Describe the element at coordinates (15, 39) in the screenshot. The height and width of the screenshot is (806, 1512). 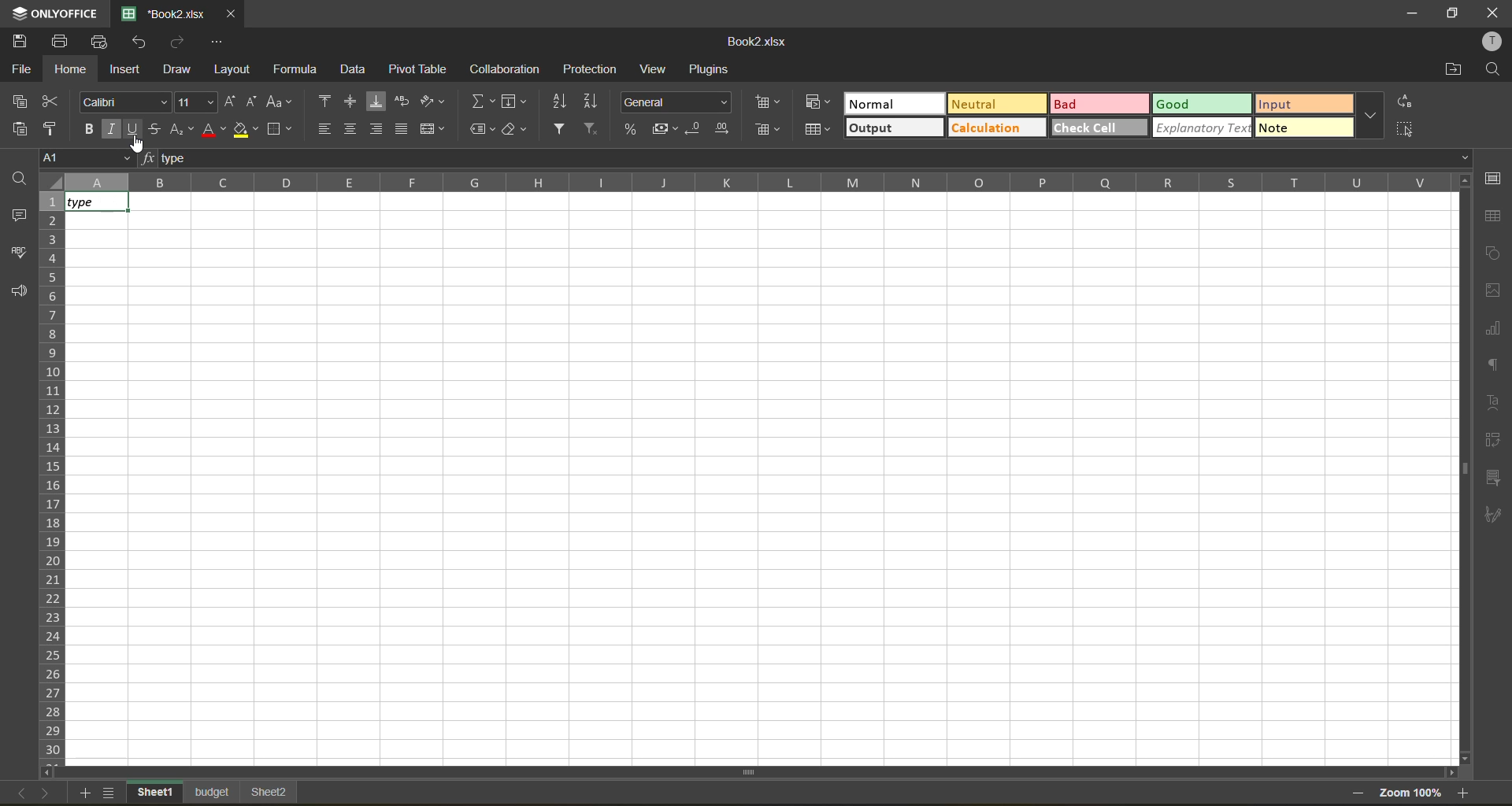
I see `save` at that location.